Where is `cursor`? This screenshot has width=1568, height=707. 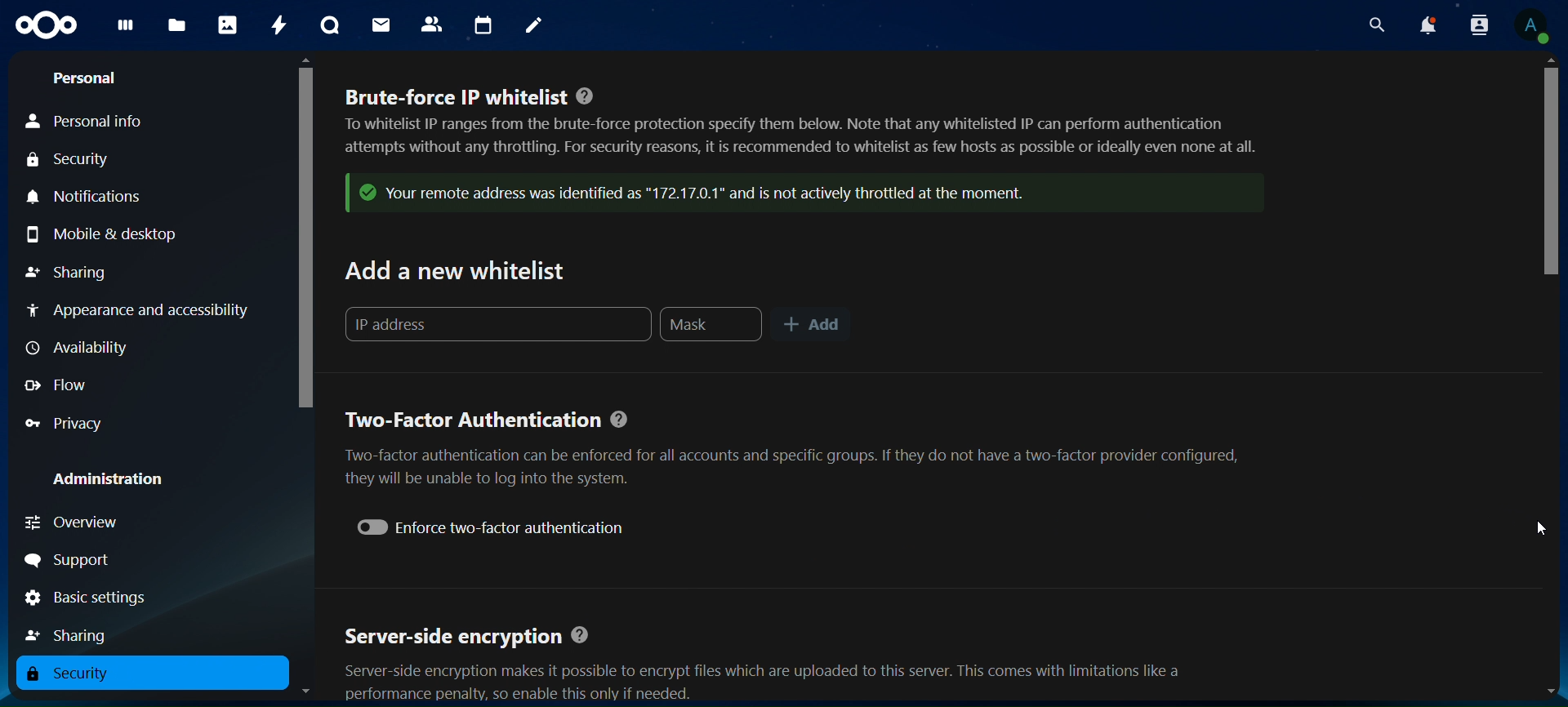
cursor is located at coordinates (1539, 527).